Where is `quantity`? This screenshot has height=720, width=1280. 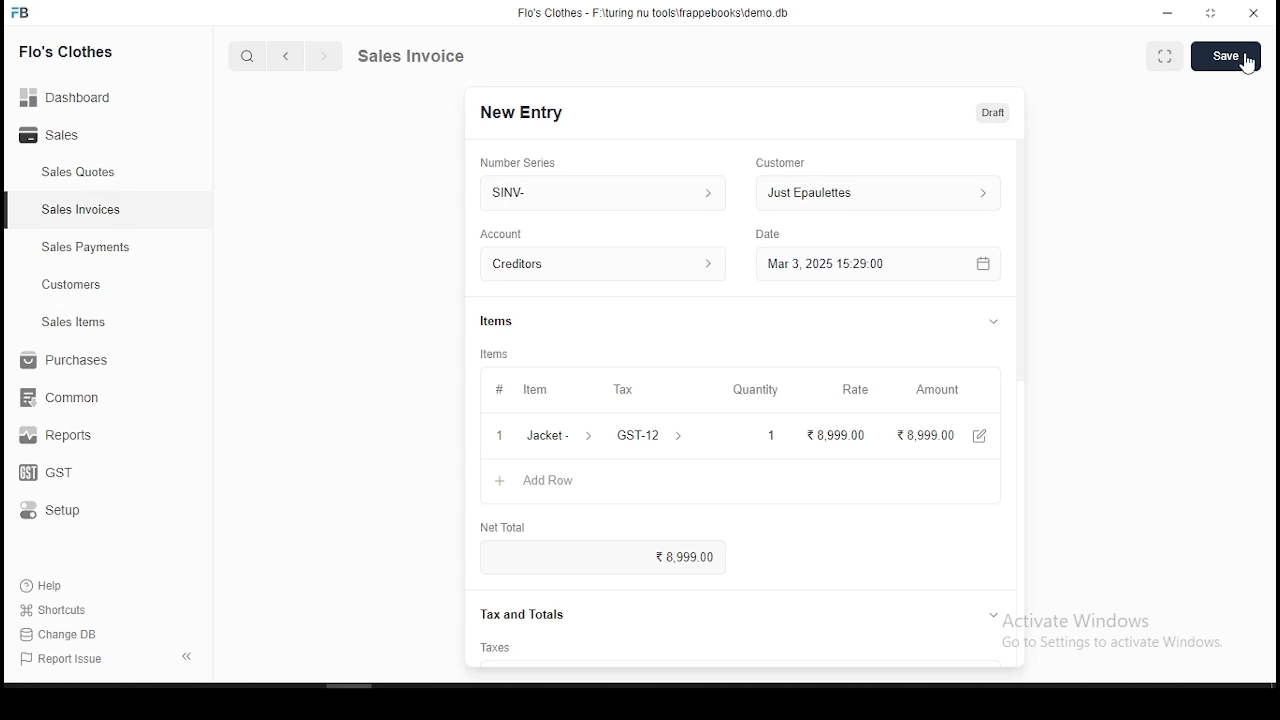
quantity is located at coordinates (760, 389).